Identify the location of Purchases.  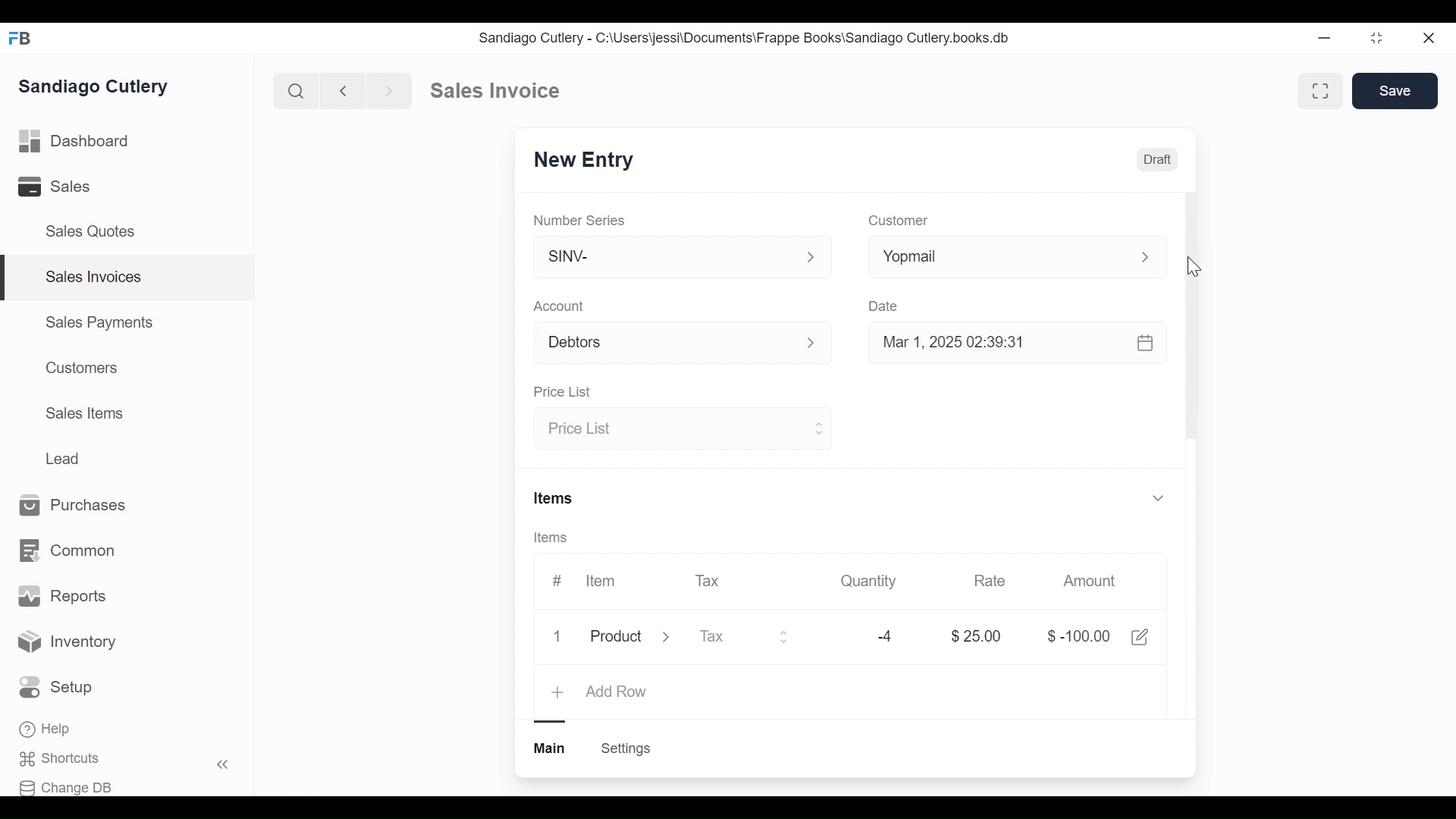
(73, 504).